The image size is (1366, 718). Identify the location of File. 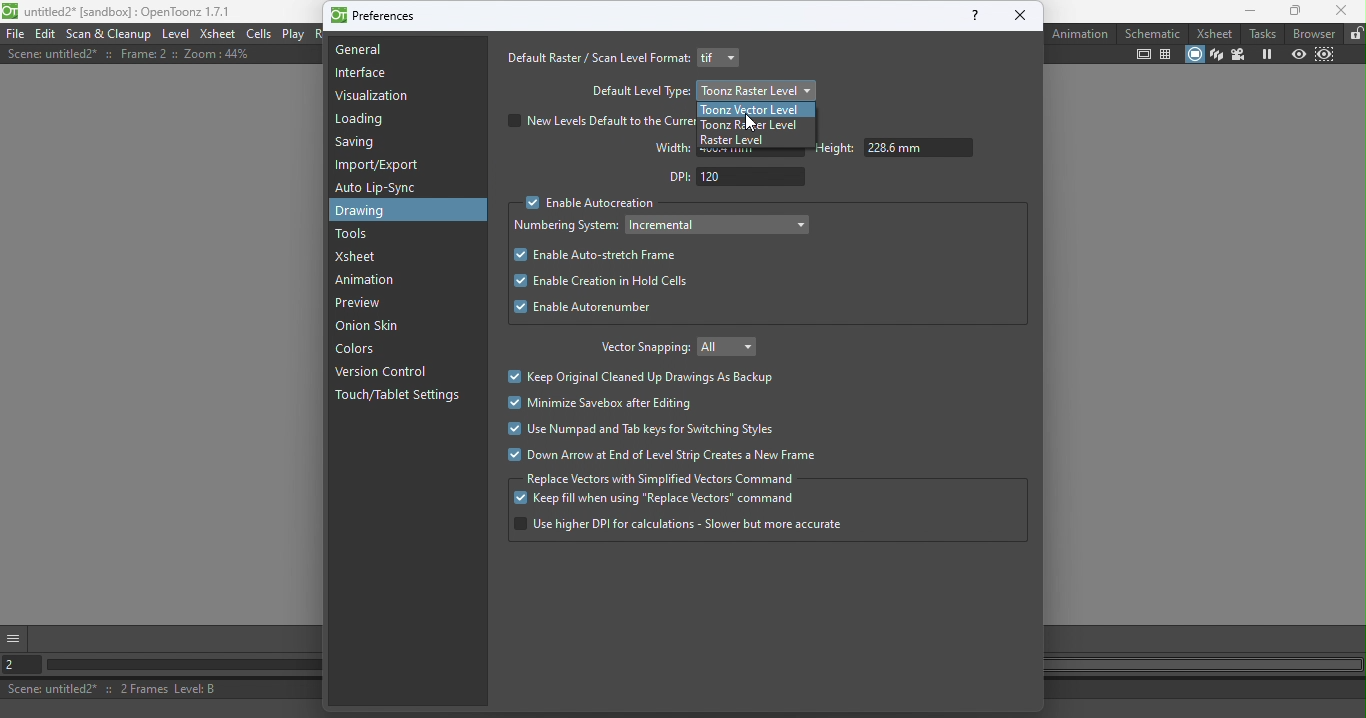
(15, 33).